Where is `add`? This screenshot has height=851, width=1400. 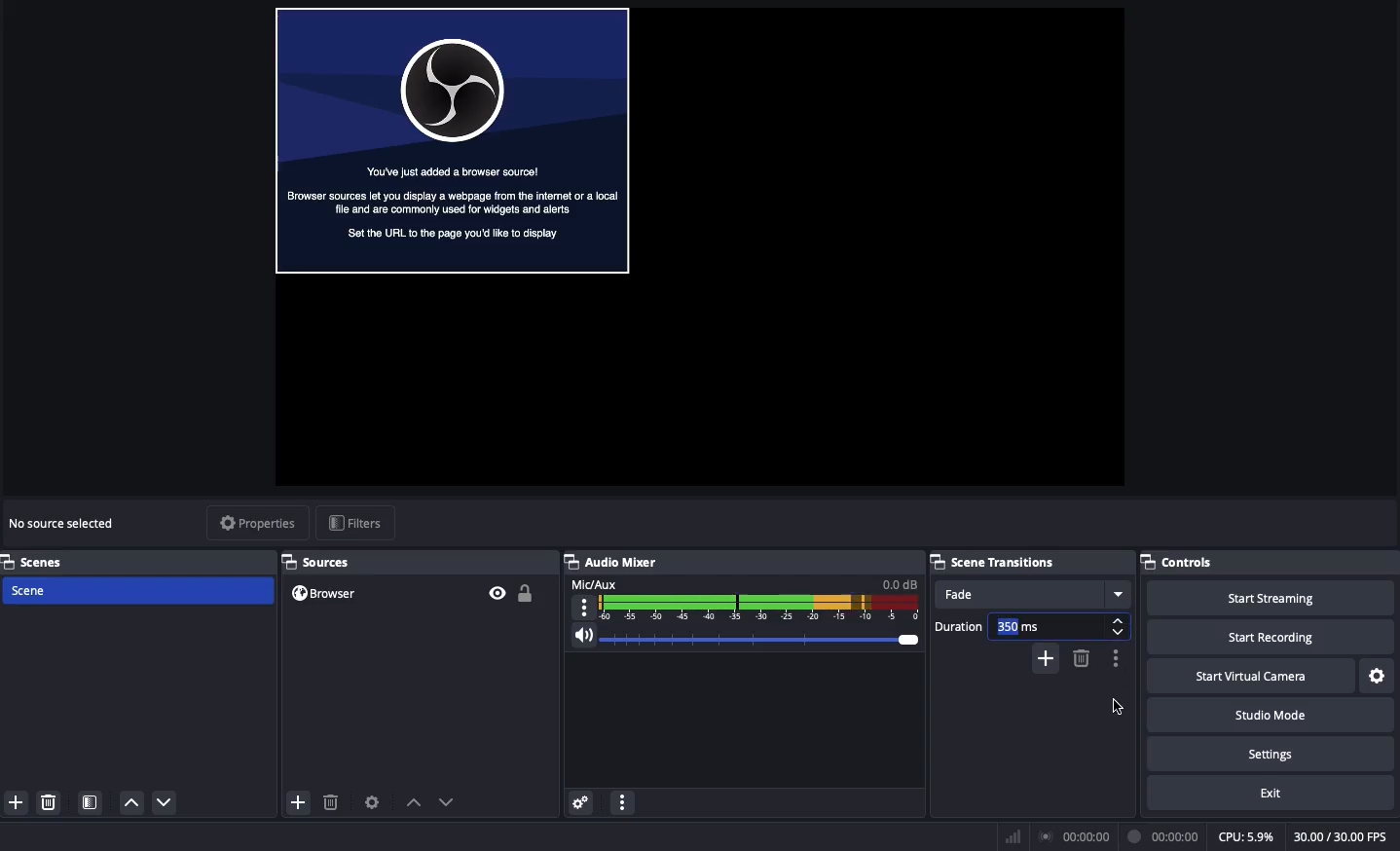 add is located at coordinates (299, 806).